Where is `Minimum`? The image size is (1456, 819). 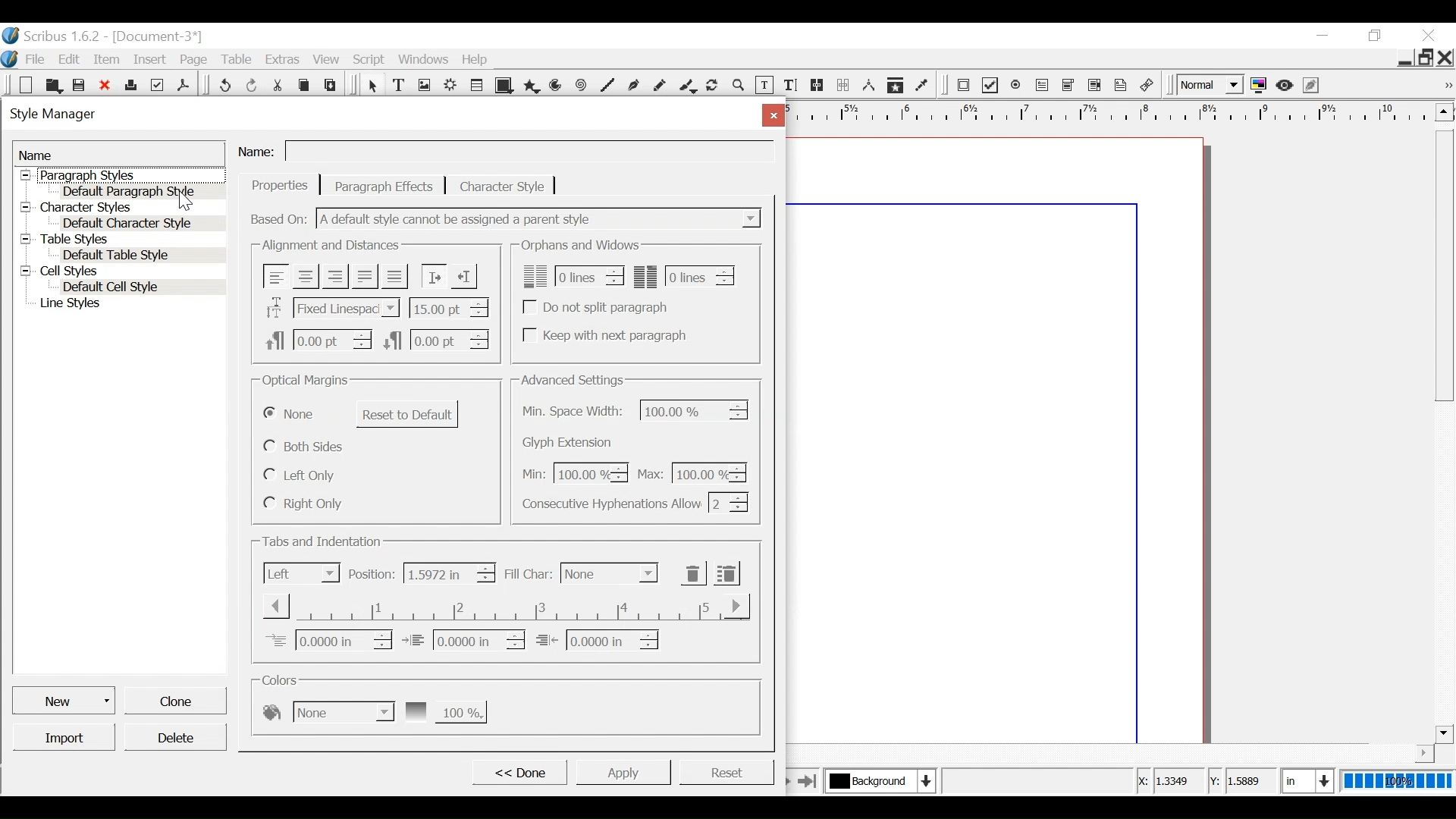
Minimum is located at coordinates (571, 474).